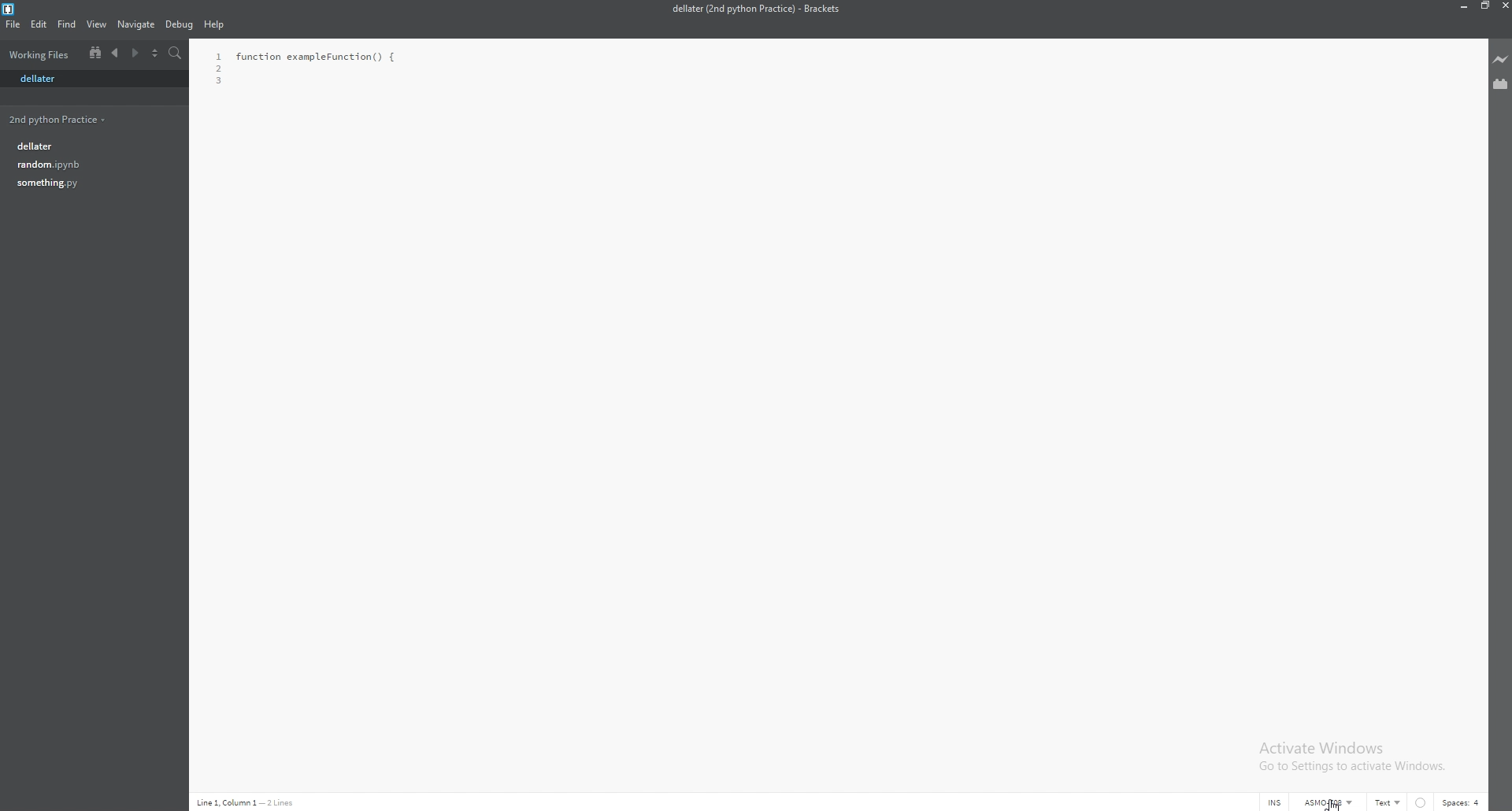 The image size is (1512, 811). What do you see at coordinates (12, 9) in the screenshot?
I see `bracket logo` at bounding box center [12, 9].